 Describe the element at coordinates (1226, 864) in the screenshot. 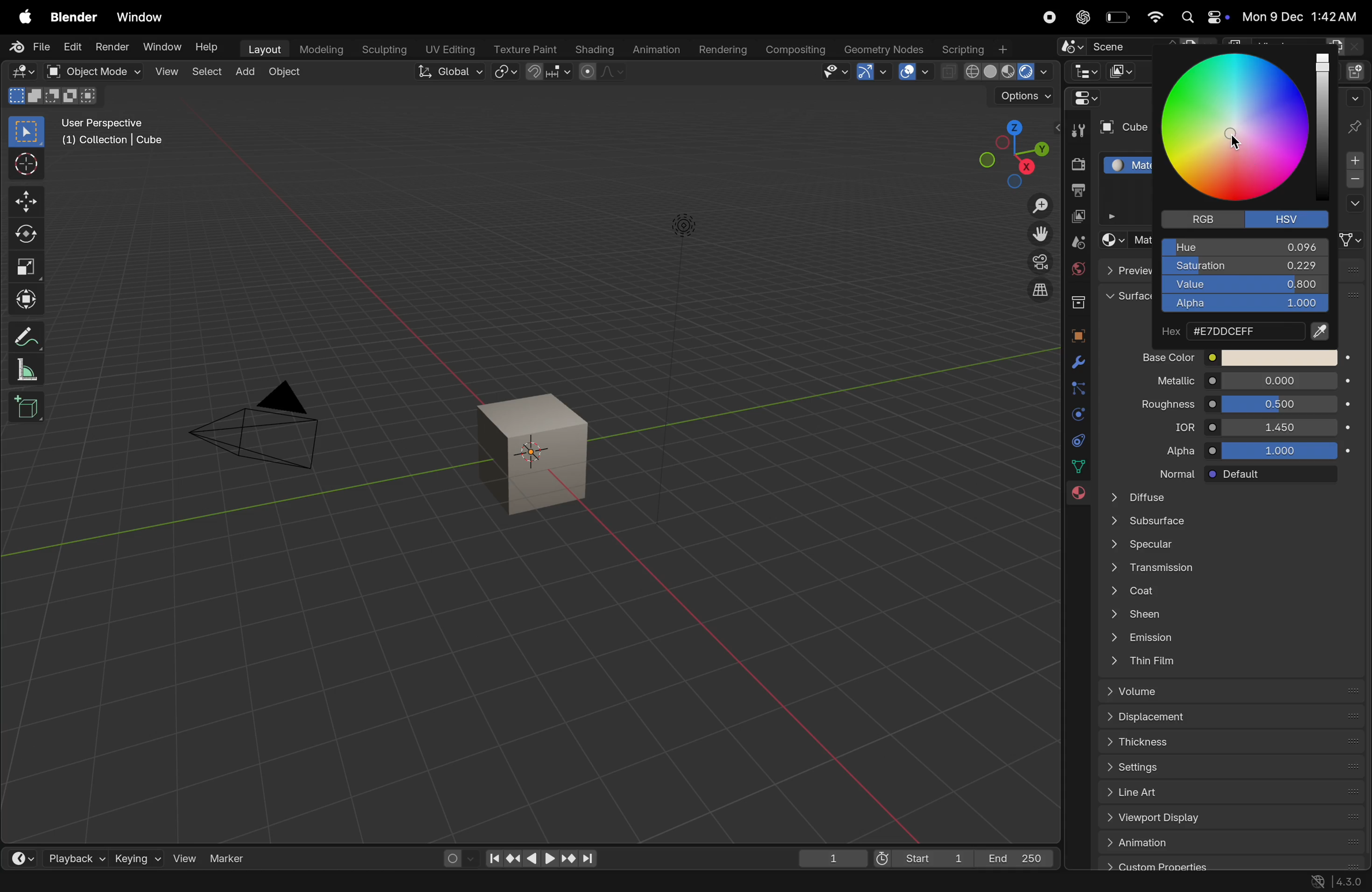

I see `custom properties` at that location.